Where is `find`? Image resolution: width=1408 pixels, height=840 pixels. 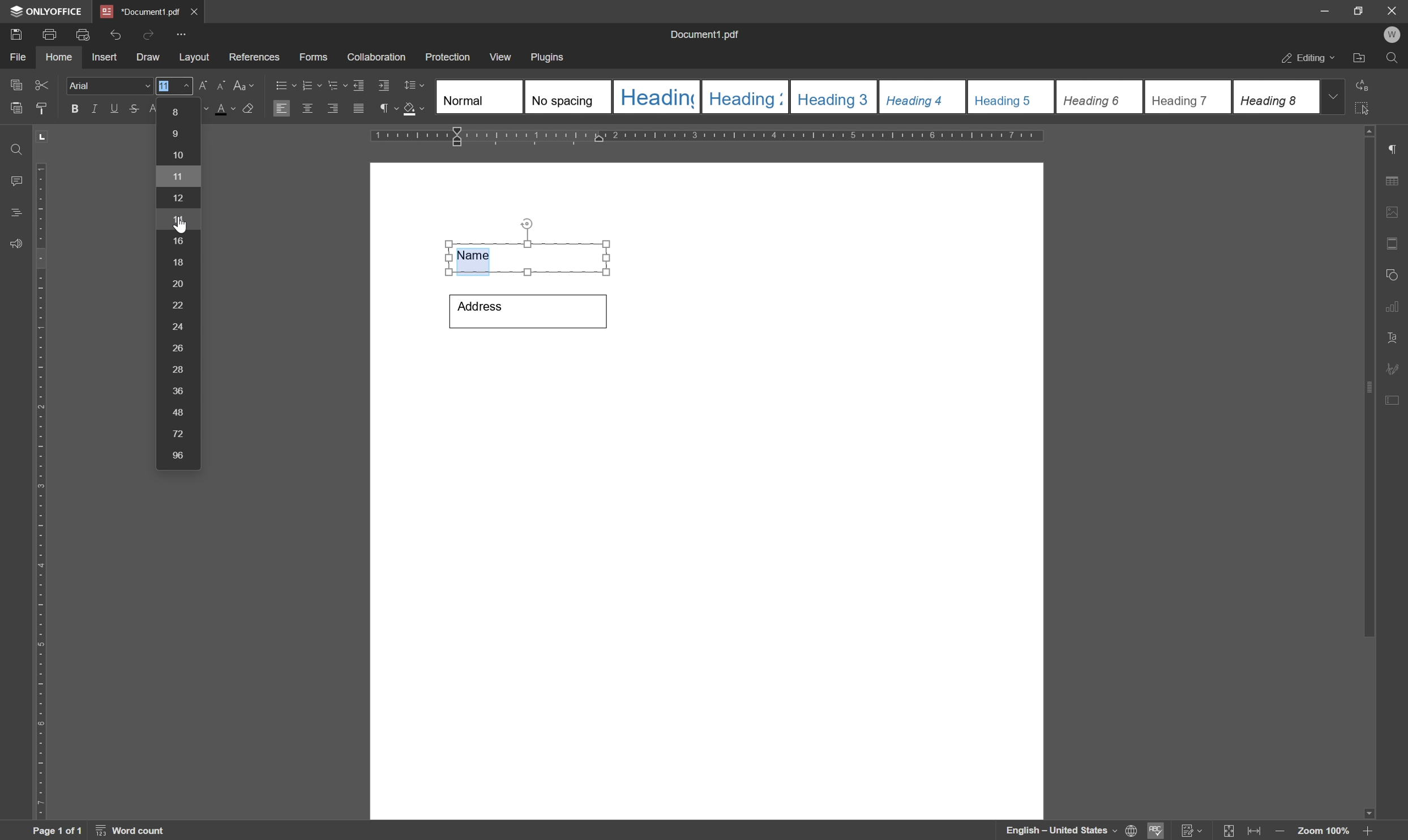 find is located at coordinates (14, 146).